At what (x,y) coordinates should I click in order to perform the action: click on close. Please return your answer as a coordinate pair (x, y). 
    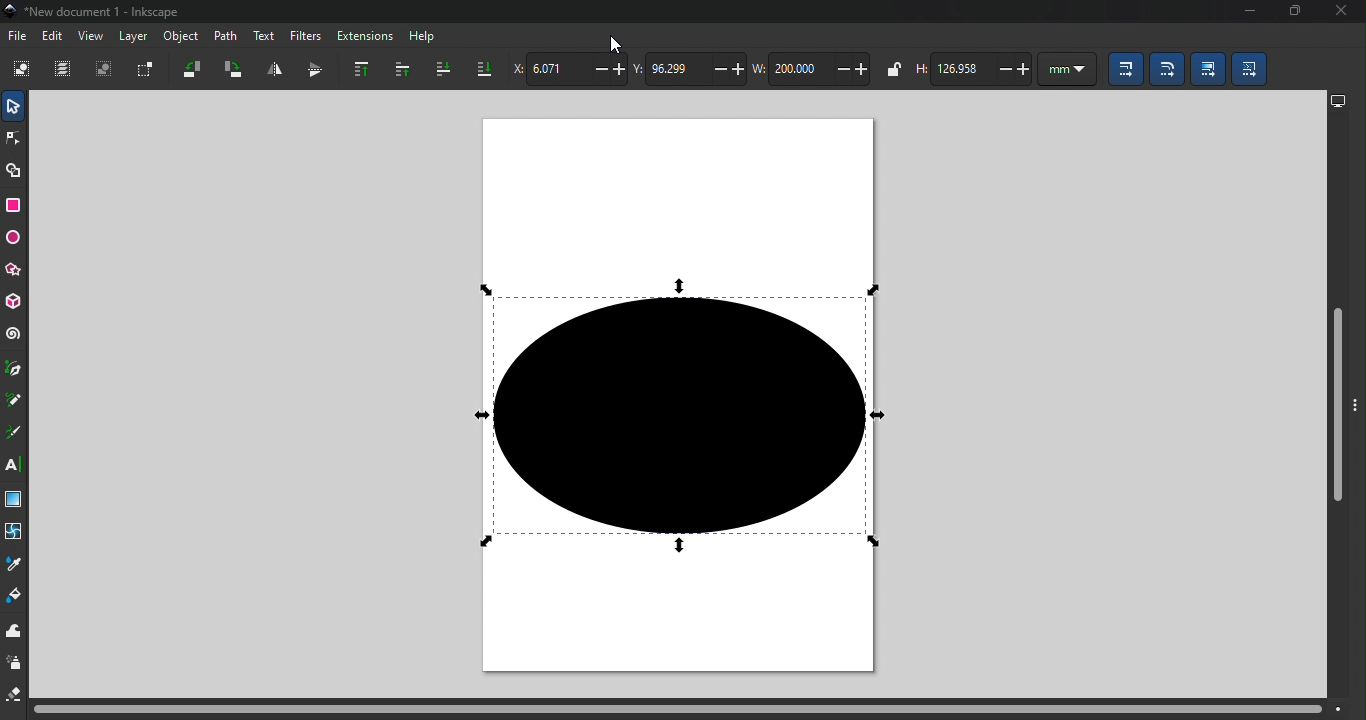
    Looking at the image, I should click on (1344, 13).